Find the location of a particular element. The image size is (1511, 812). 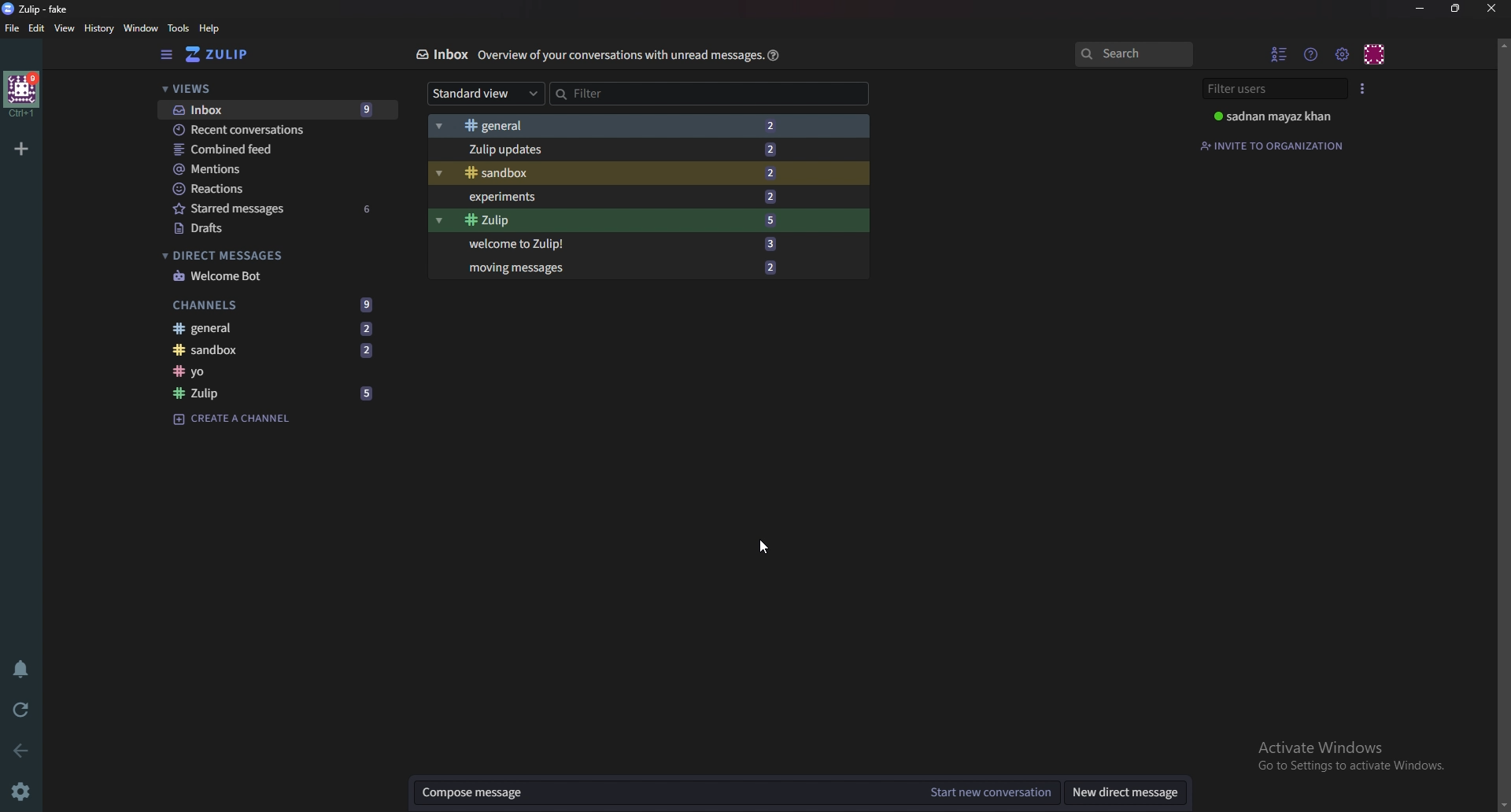

channel is located at coordinates (286, 371).